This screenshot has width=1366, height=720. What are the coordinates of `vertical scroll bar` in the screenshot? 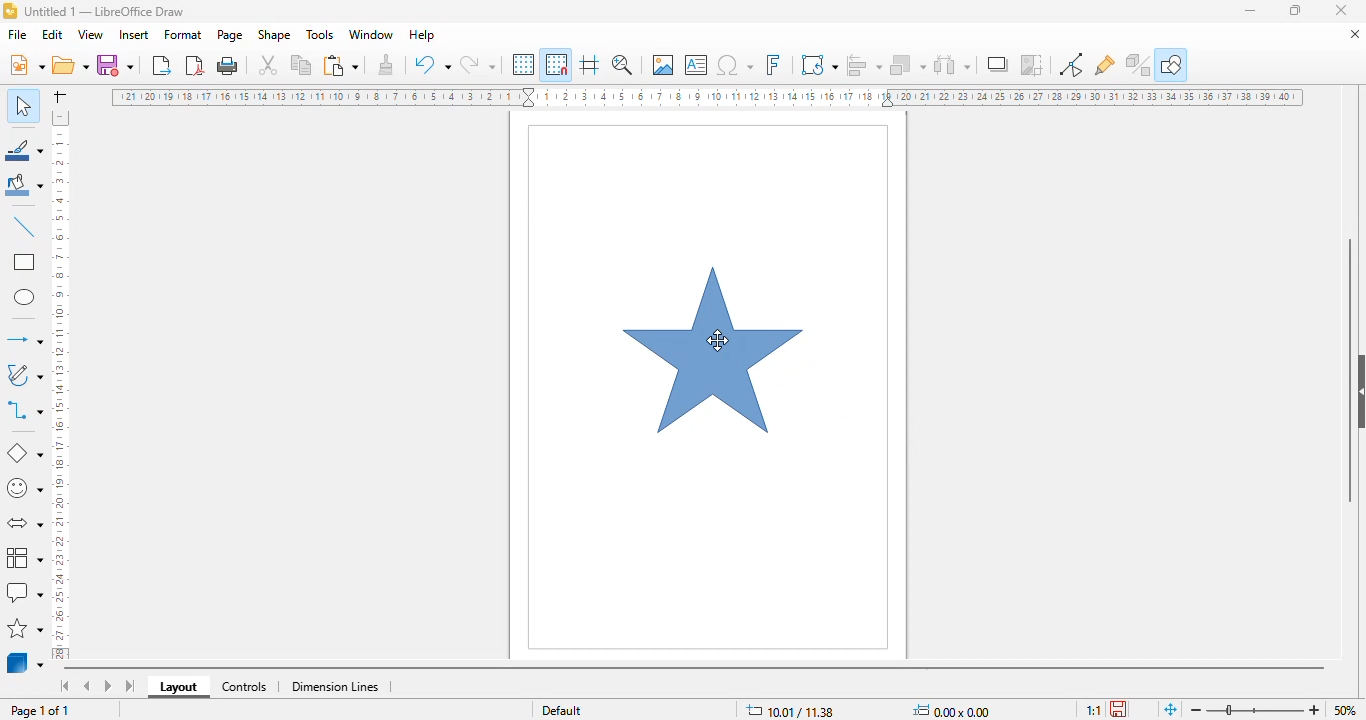 It's located at (1350, 369).